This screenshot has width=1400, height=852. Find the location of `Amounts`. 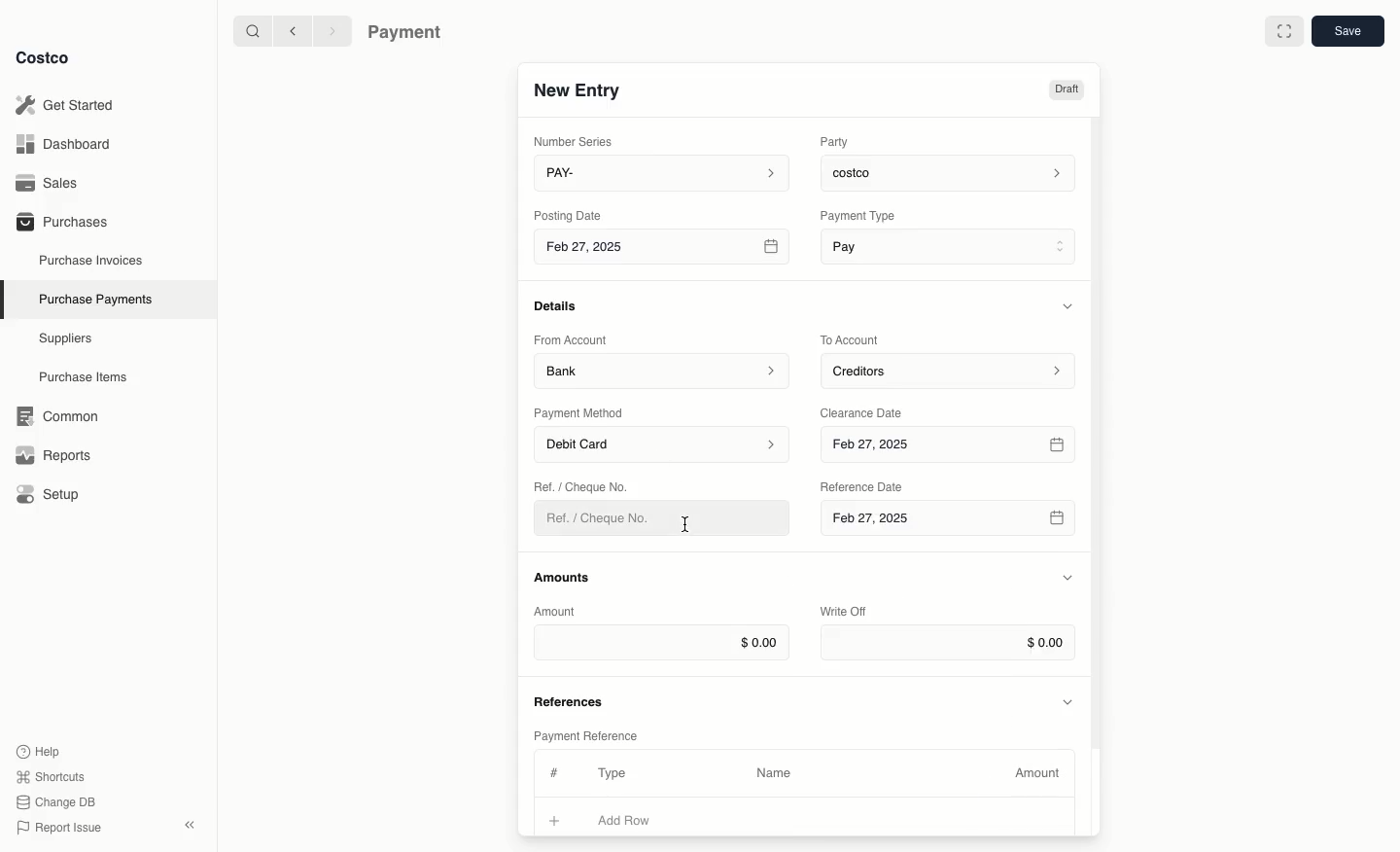

Amounts is located at coordinates (564, 577).